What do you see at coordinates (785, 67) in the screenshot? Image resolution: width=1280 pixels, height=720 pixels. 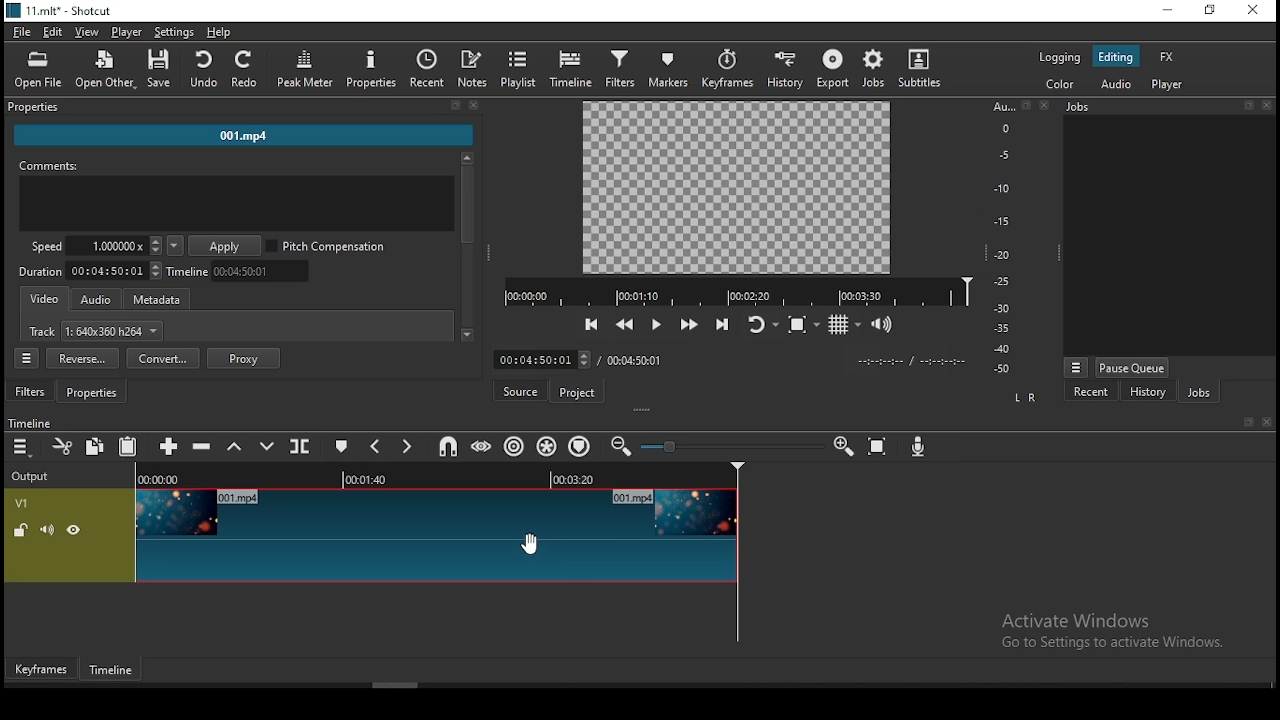 I see `history` at bounding box center [785, 67].